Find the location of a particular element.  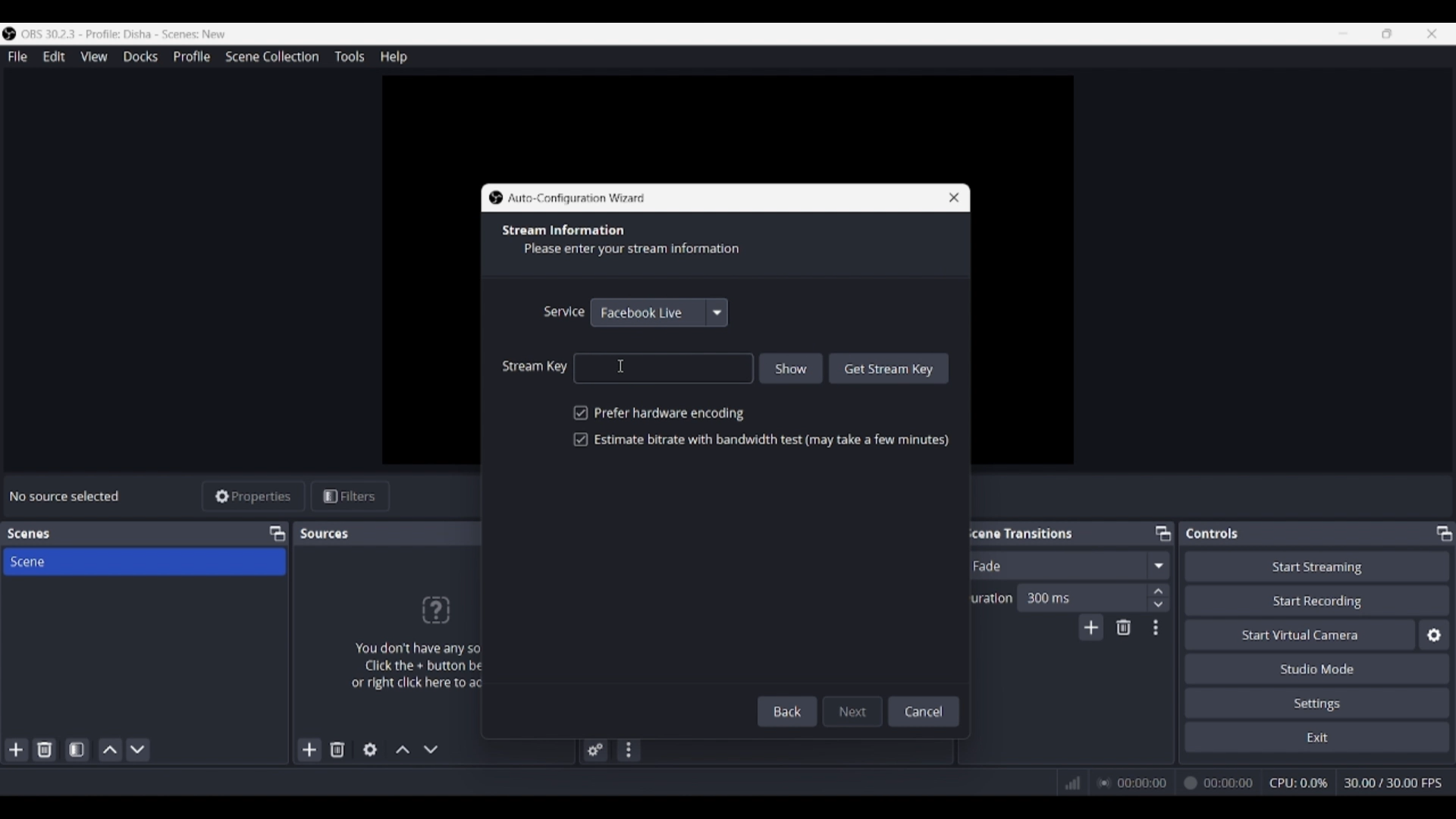

Start virtual camera is located at coordinates (1300, 634).